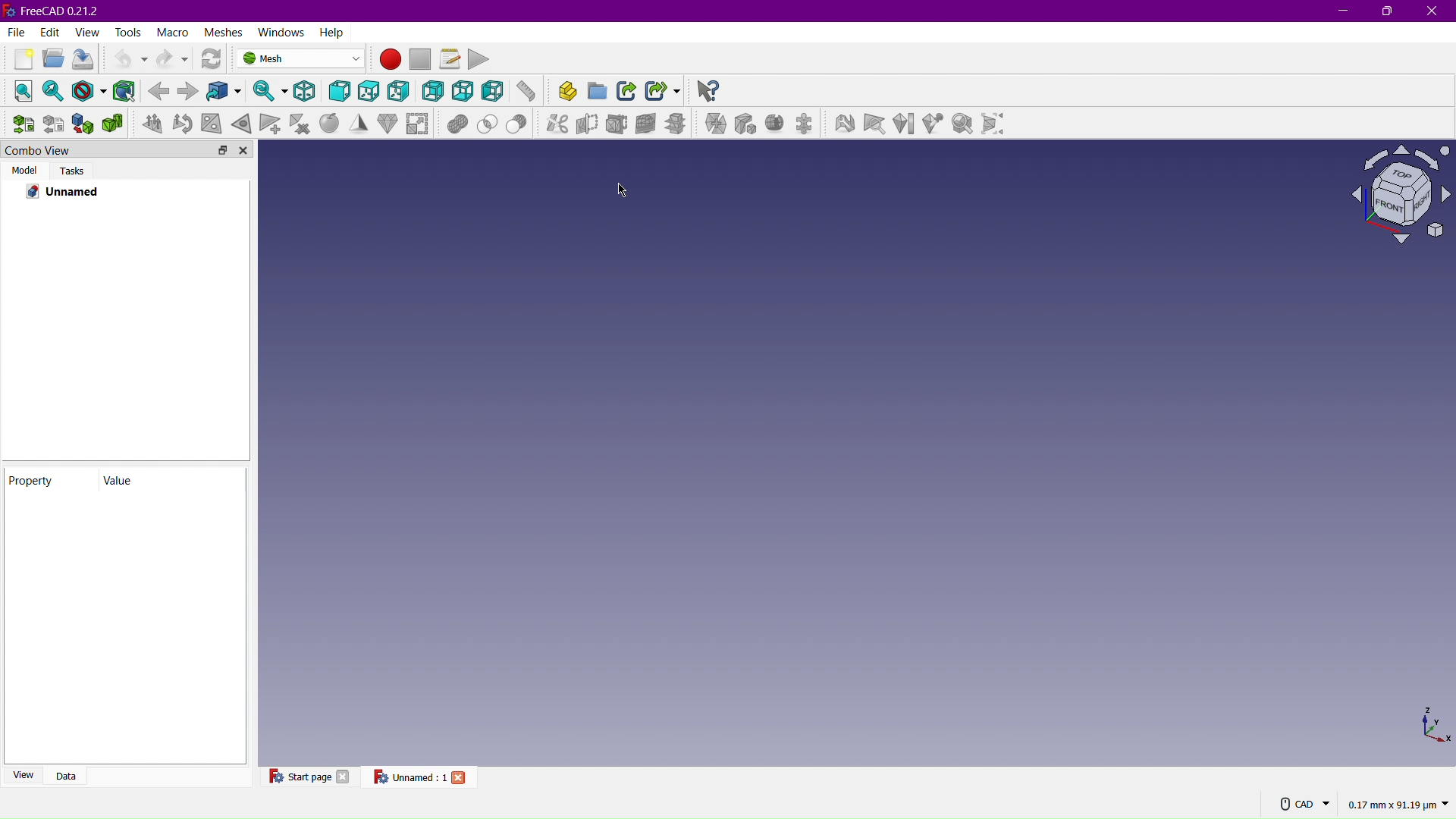 This screenshot has width=1456, height=819. What do you see at coordinates (450, 57) in the screenshot?
I see `Macros` at bounding box center [450, 57].